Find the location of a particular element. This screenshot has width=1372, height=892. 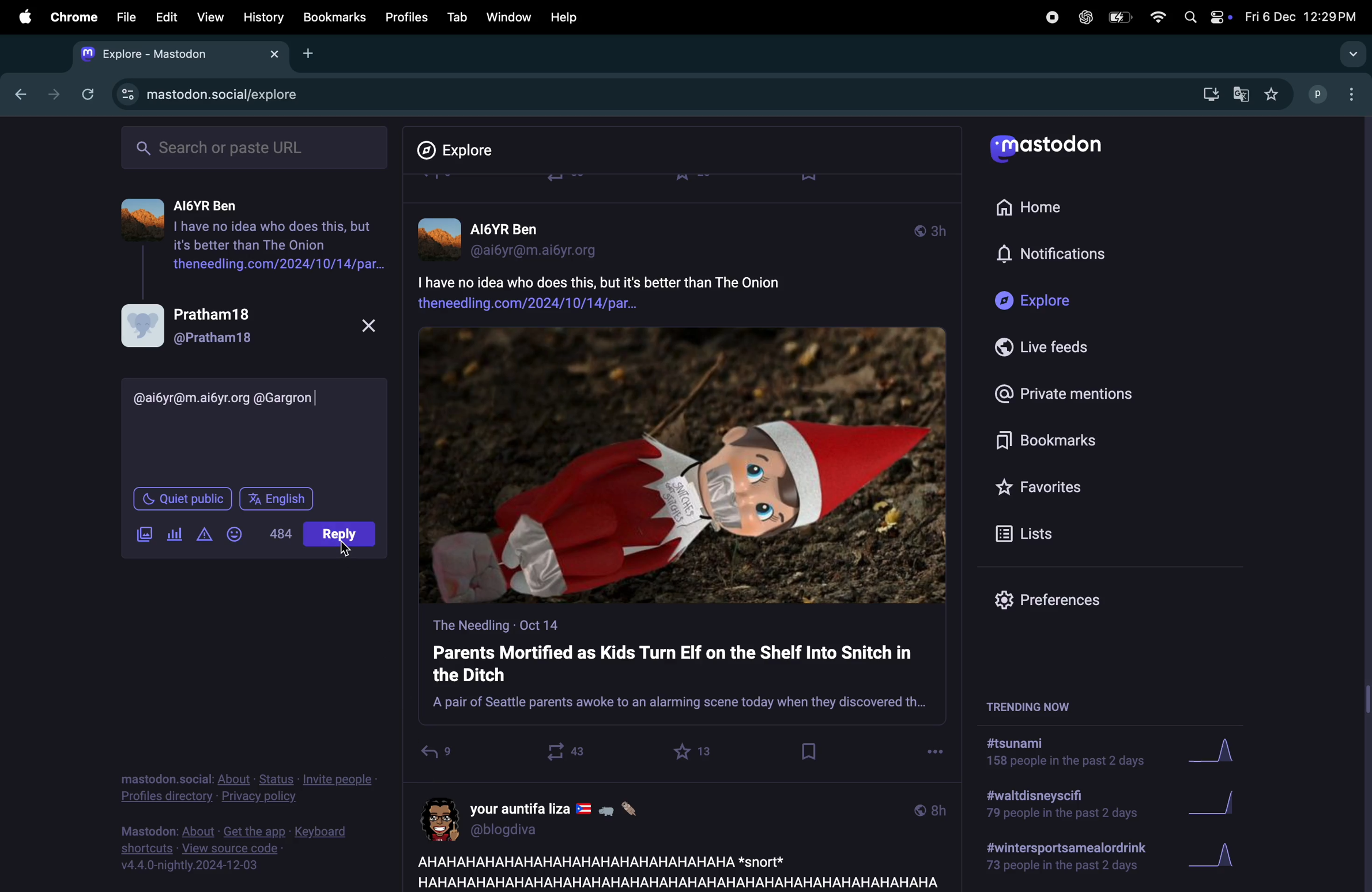

graph is located at coordinates (1213, 859).